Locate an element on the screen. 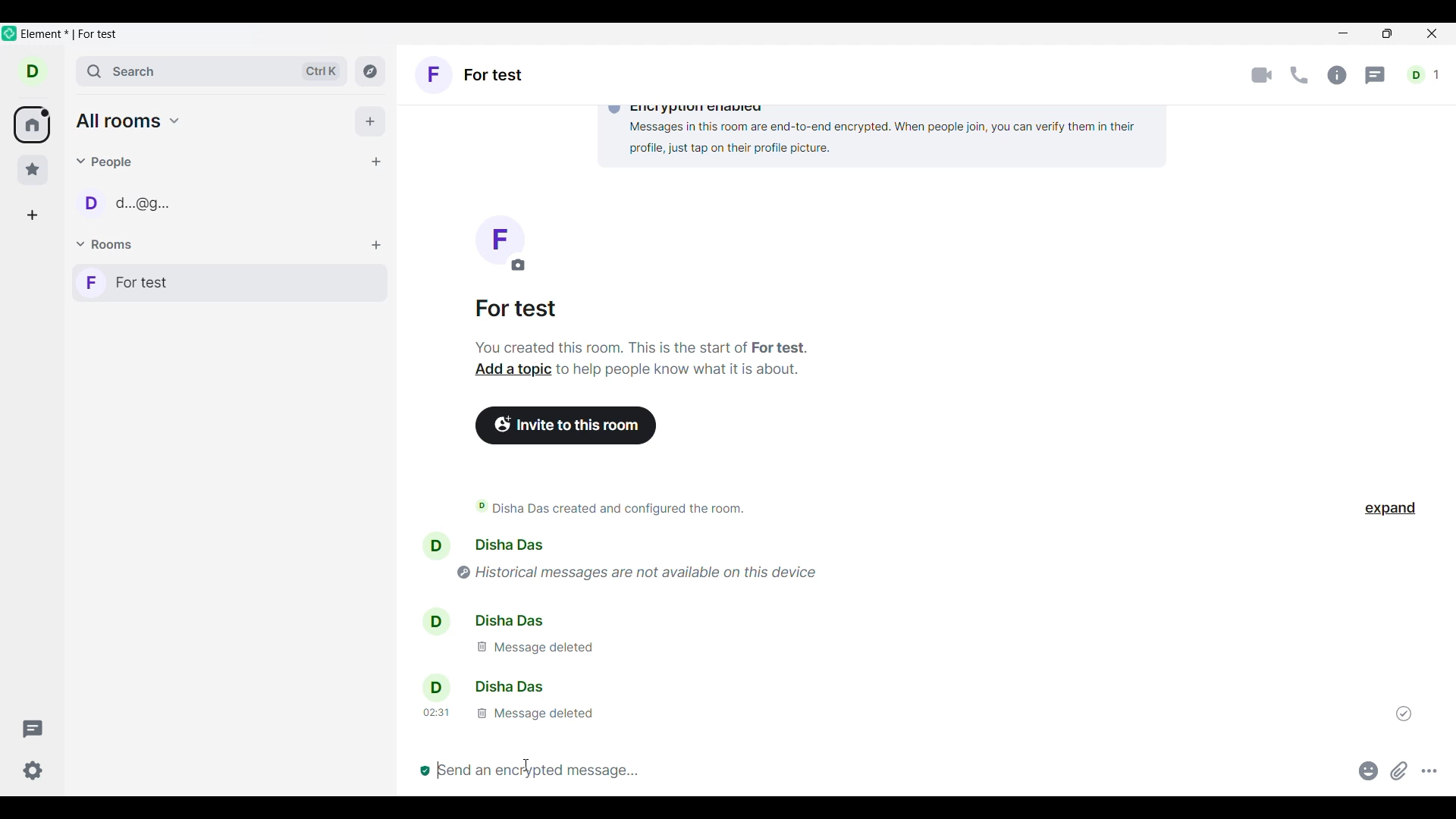 The width and height of the screenshot is (1456, 819). f is located at coordinates (499, 243).